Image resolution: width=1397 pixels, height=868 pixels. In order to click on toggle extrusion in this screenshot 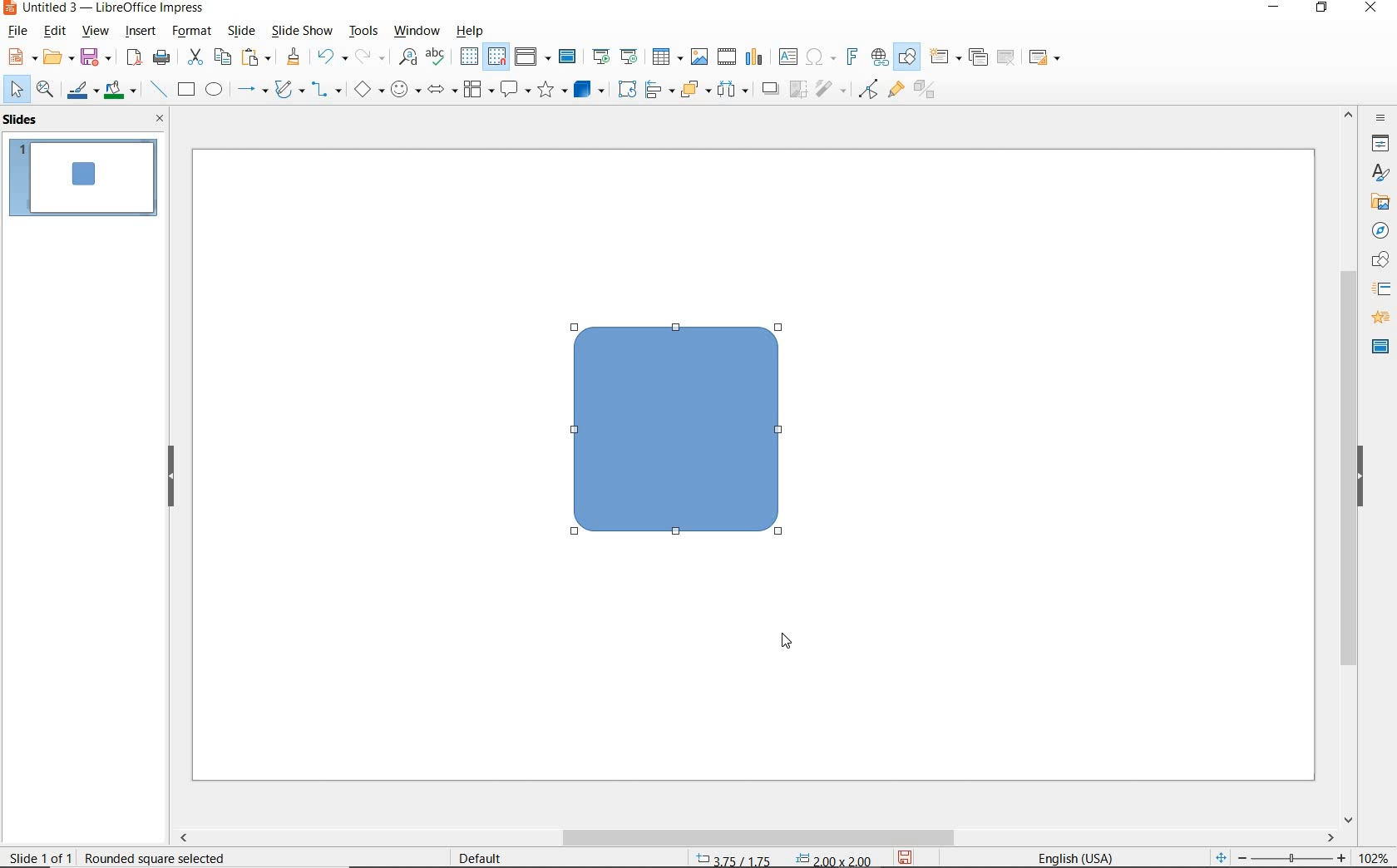, I will do `click(923, 91)`.